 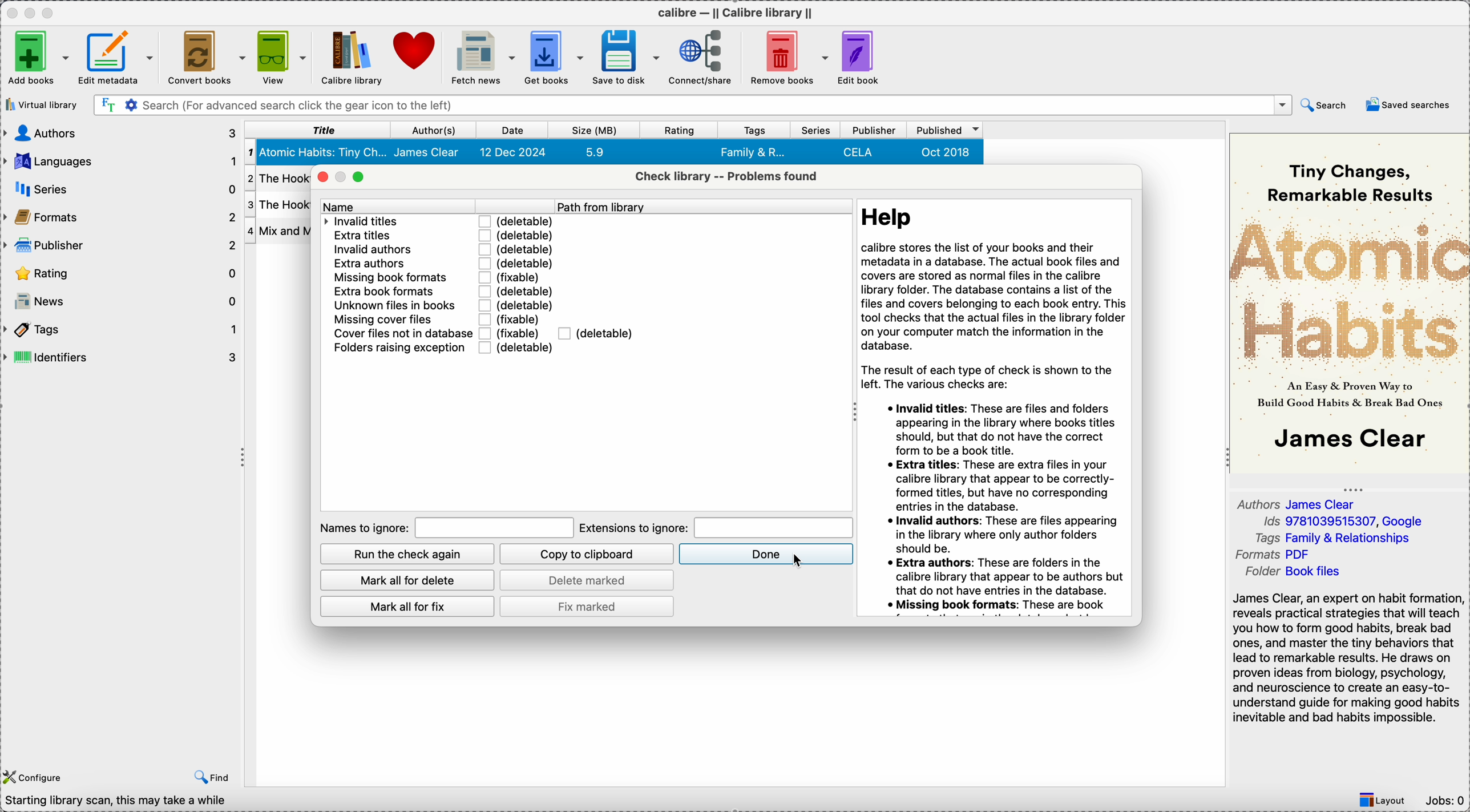 I want to click on deletable, so click(x=515, y=235).